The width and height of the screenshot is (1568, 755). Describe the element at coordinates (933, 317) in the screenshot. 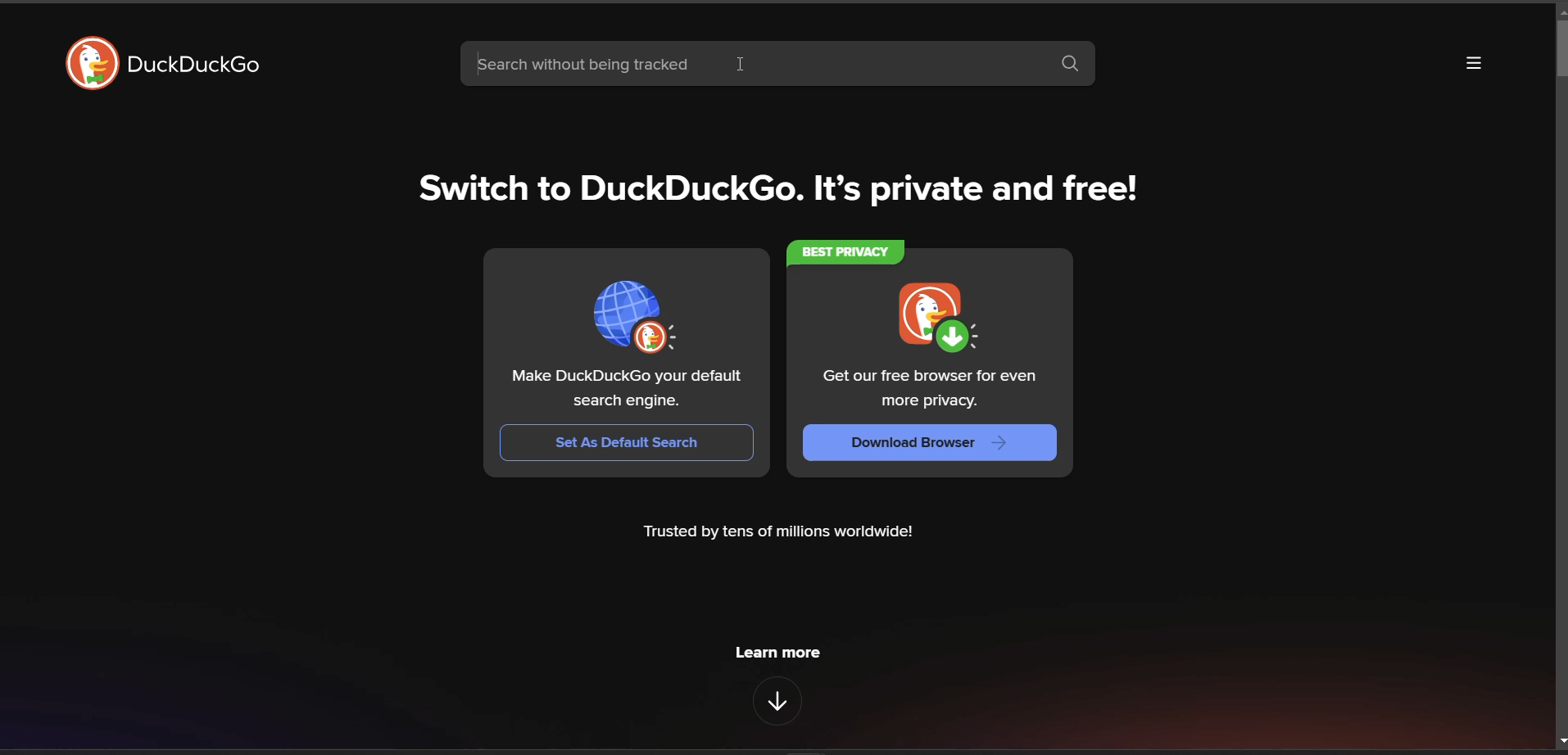

I see `logo` at that location.